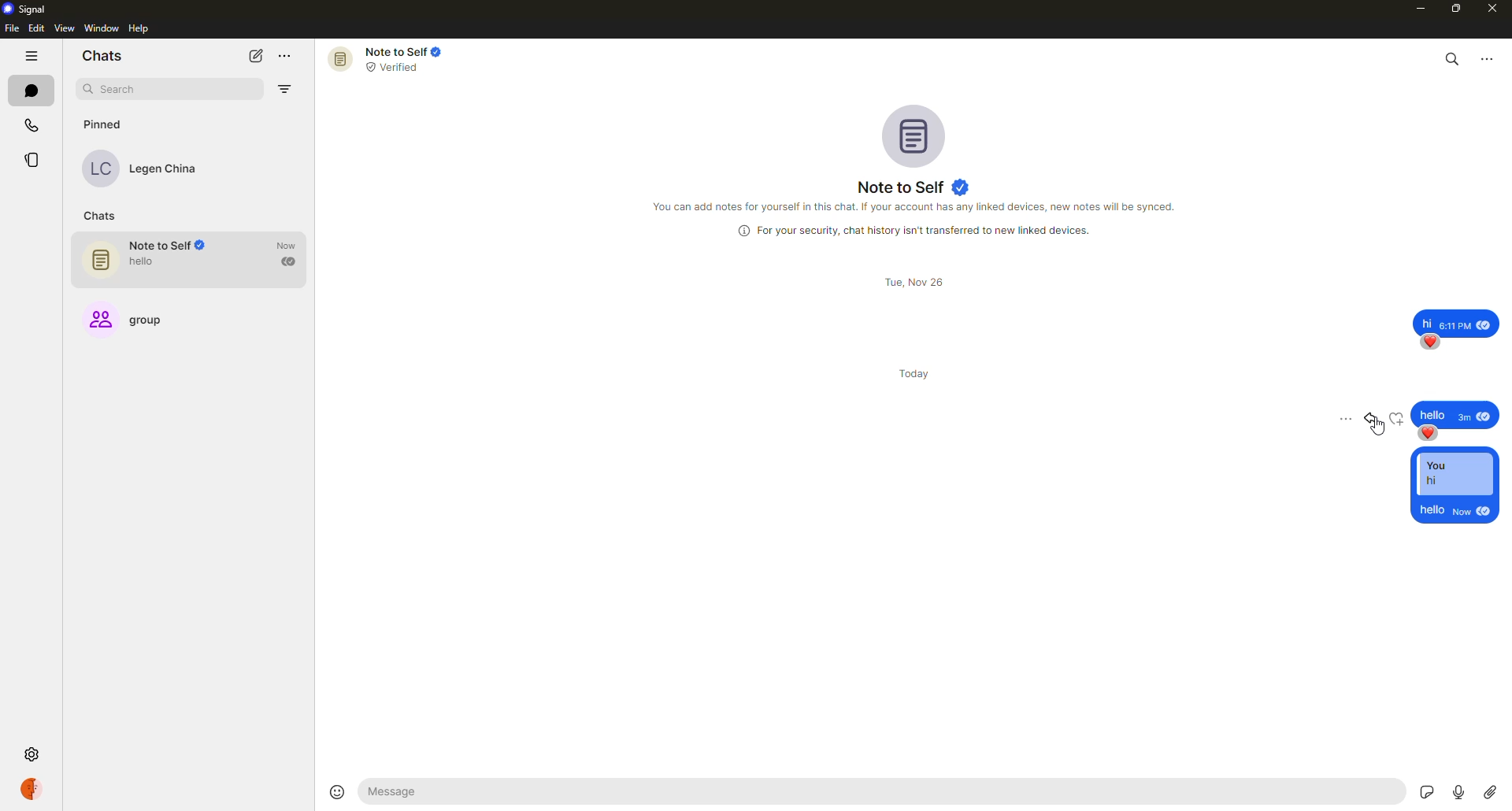 Image resolution: width=1512 pixels, height=811 pixels. What do you see at coordinates (138, 29) in the screenshot?
I see `help` at bounding box center [138, 29].